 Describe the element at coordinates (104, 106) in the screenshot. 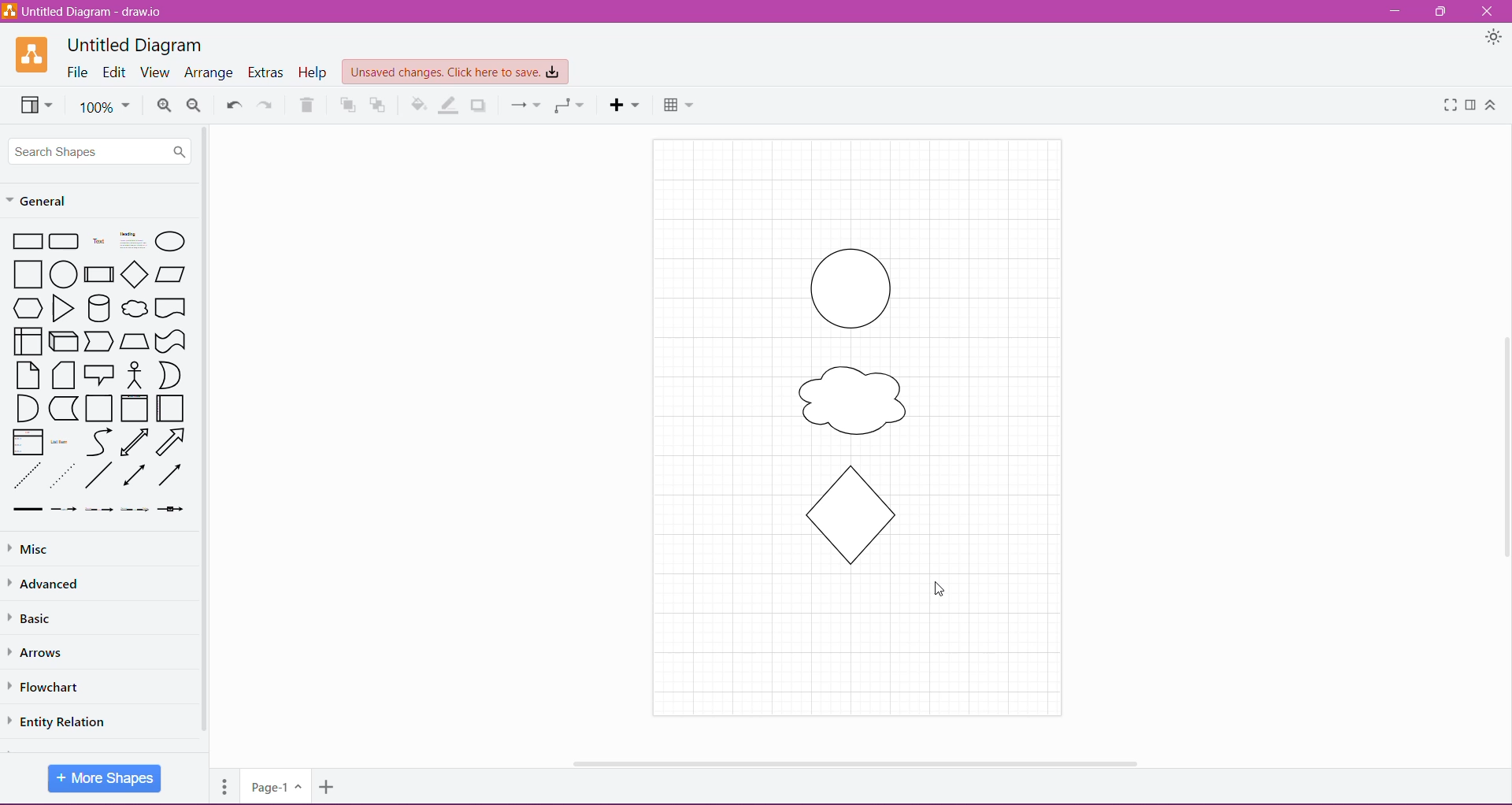

I see `Zoom` at that location.